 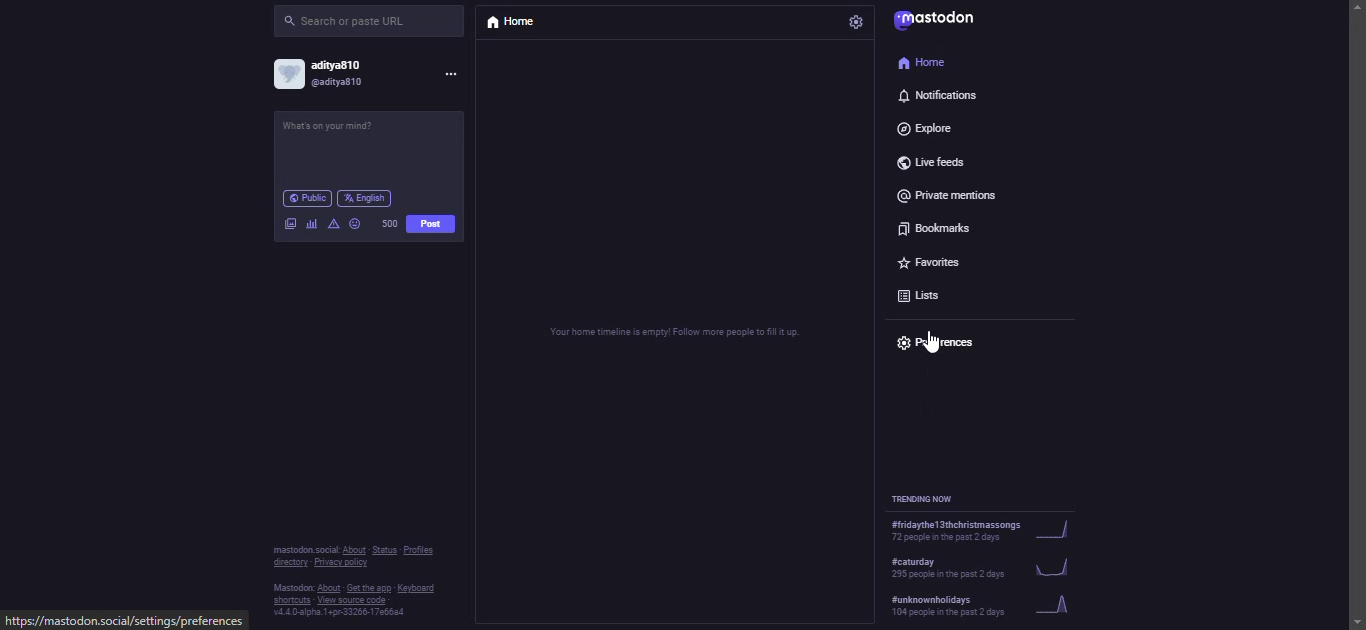 I want to click on settings, so click(x=855, y=22).